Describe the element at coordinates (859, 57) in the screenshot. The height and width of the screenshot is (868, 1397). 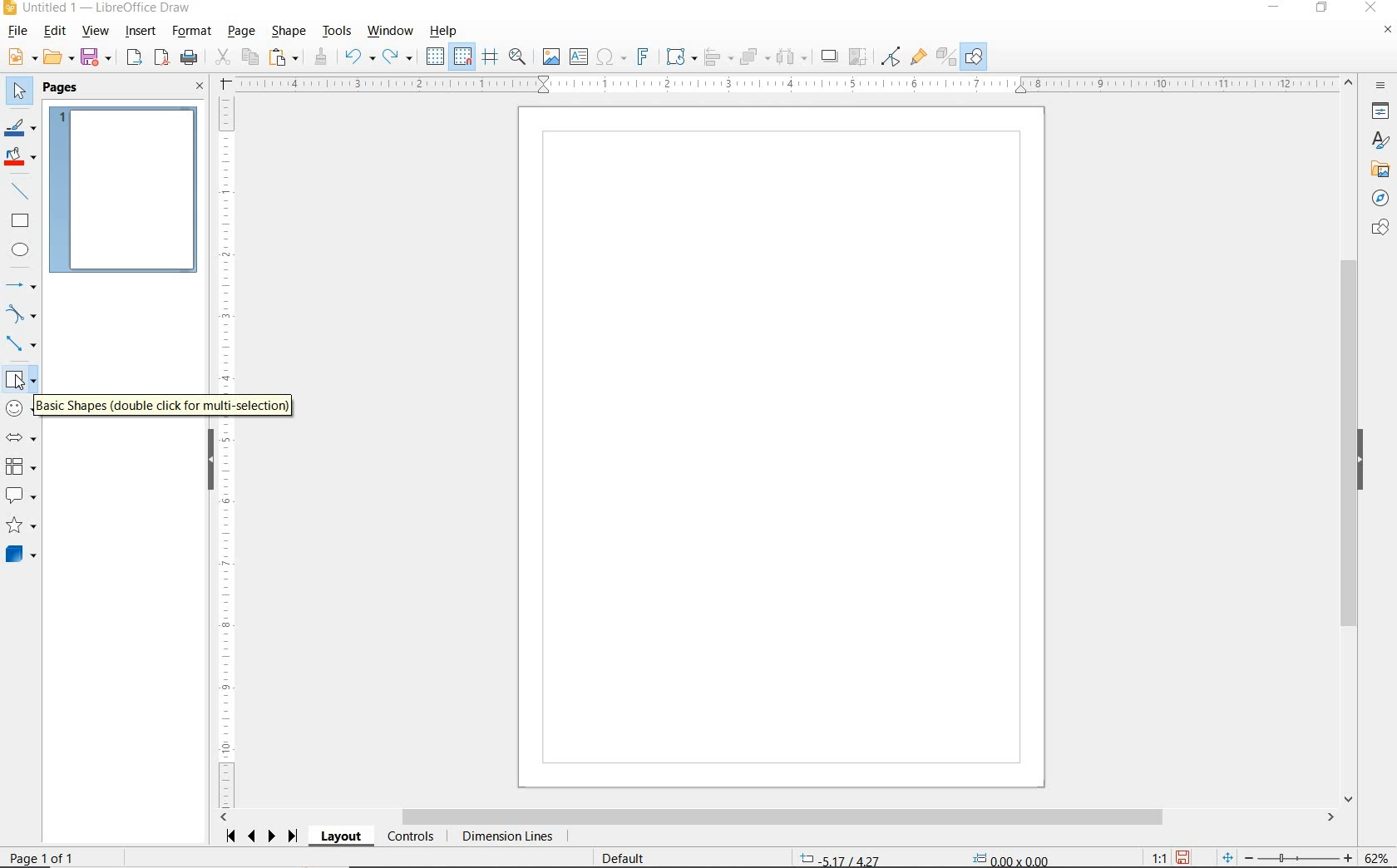
I see `CROP IMAGE` at that location.